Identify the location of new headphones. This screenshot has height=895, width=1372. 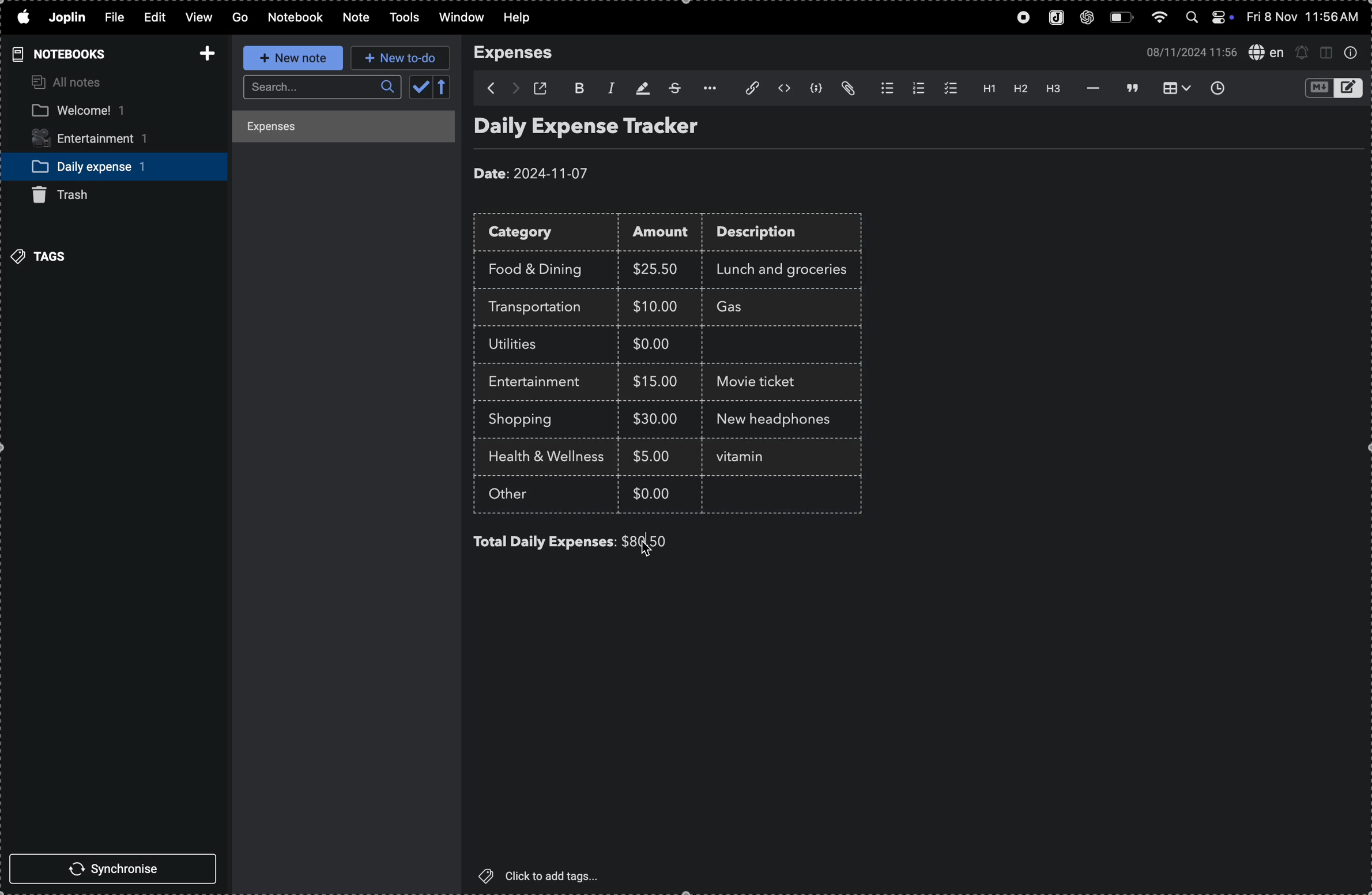
(770, 418).